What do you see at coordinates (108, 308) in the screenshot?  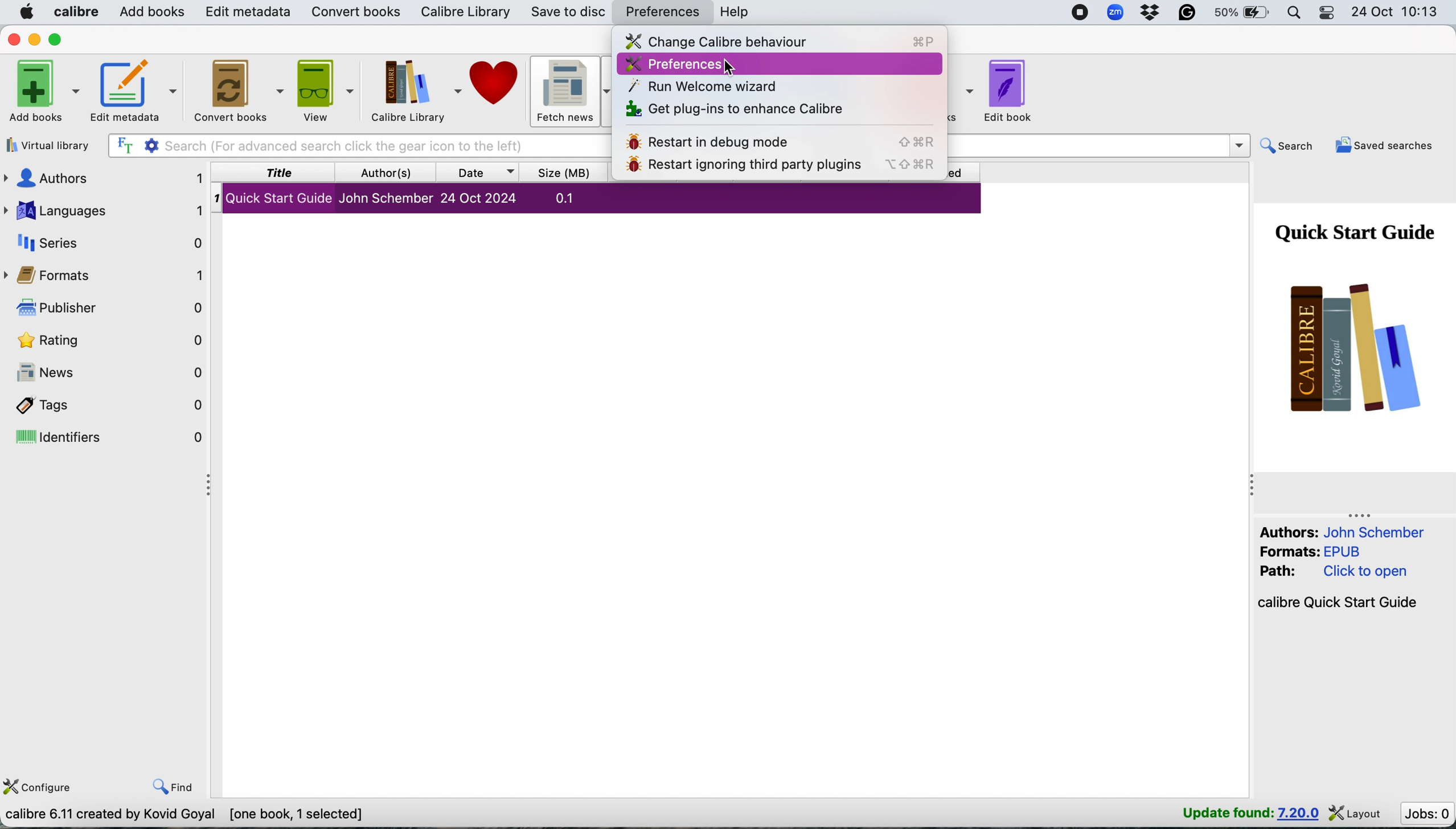 I see `publisher` at bounding box center [108, 308].